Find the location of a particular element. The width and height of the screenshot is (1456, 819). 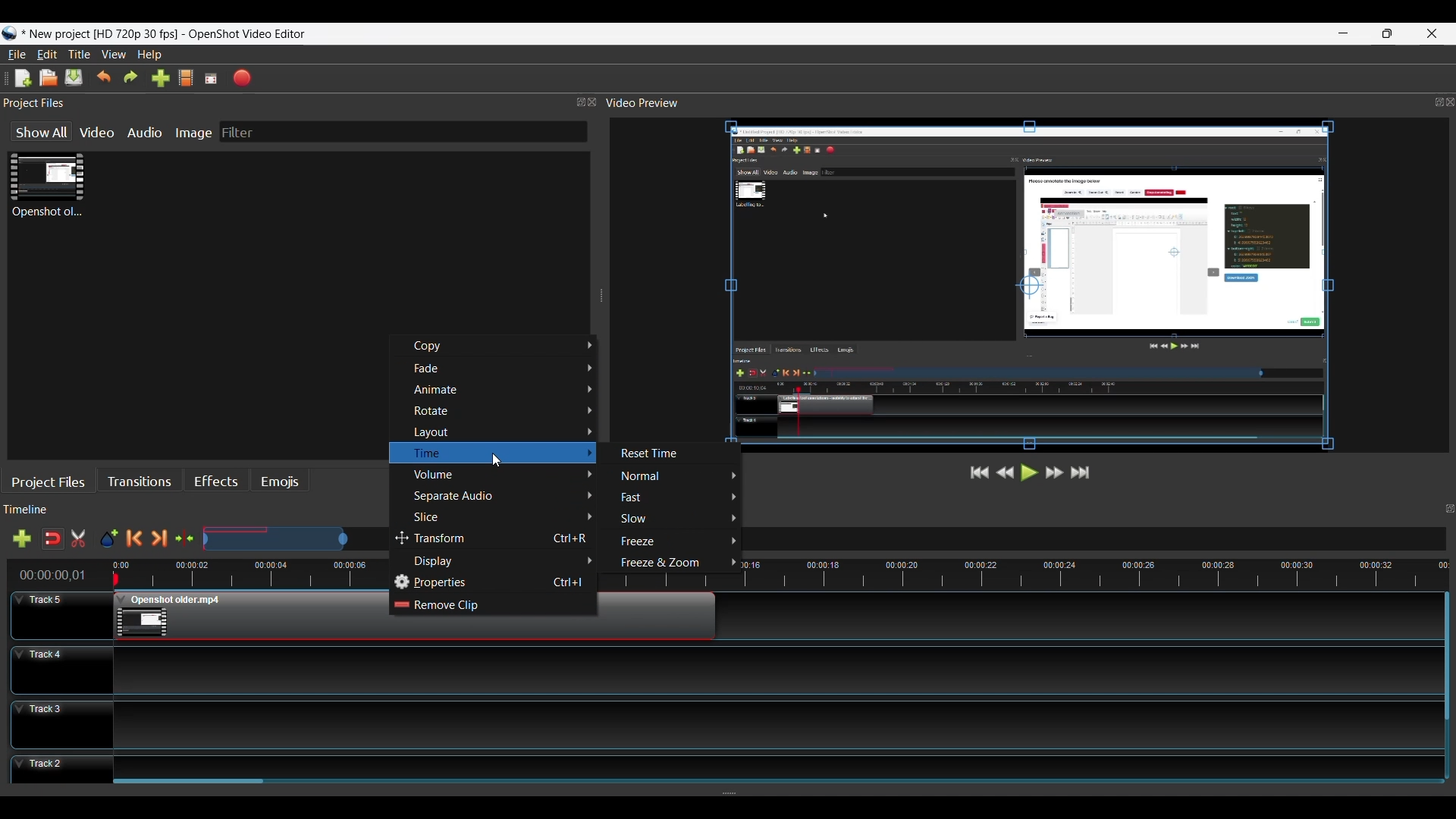

Import Files is located at coordinates (161, 78).